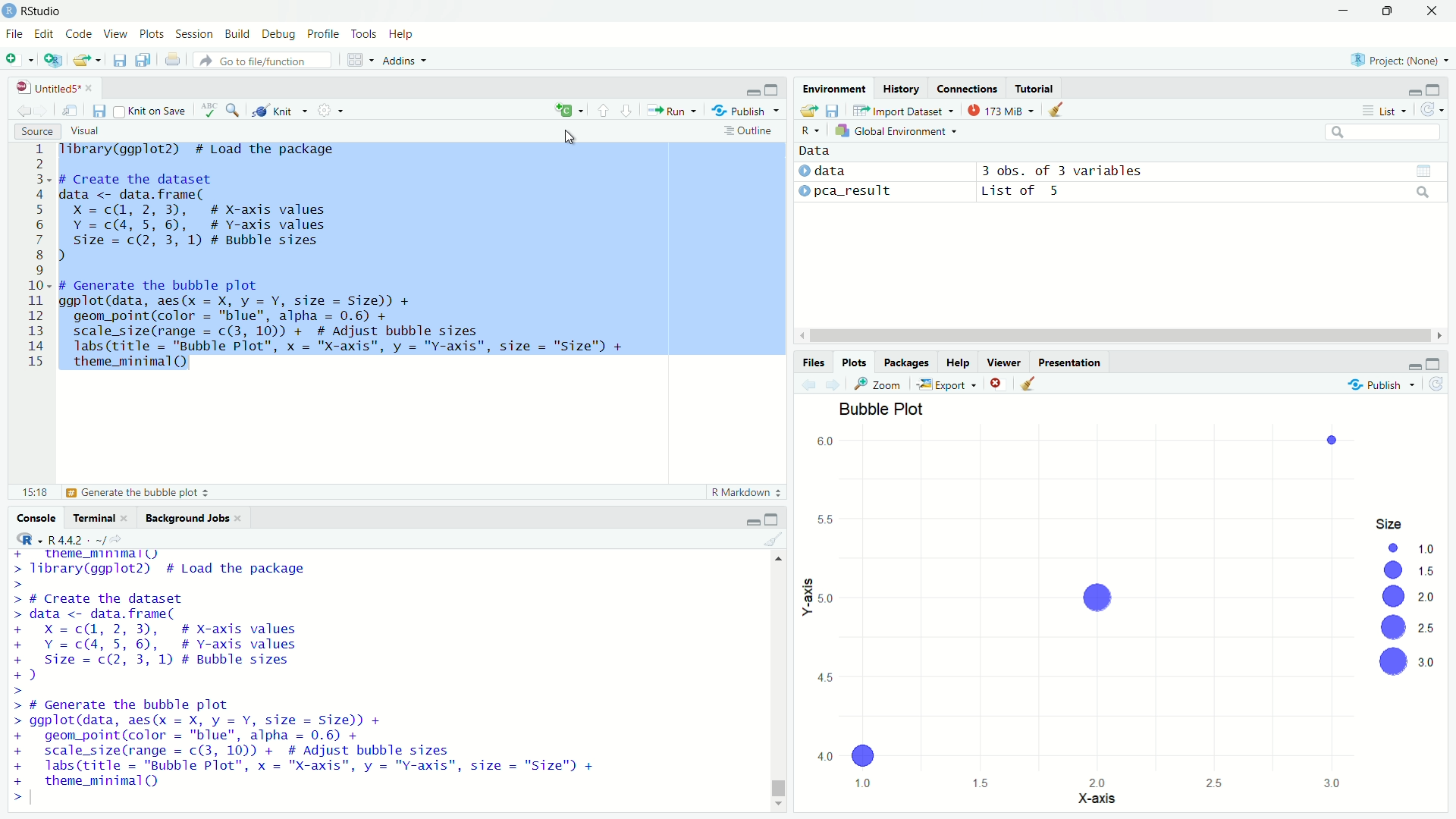 The width and height of the screenshot is (1456, 819). What do you see at coordinates (53, 60) in the screenshot?
I see `new project` at bounding box center [53, 60].